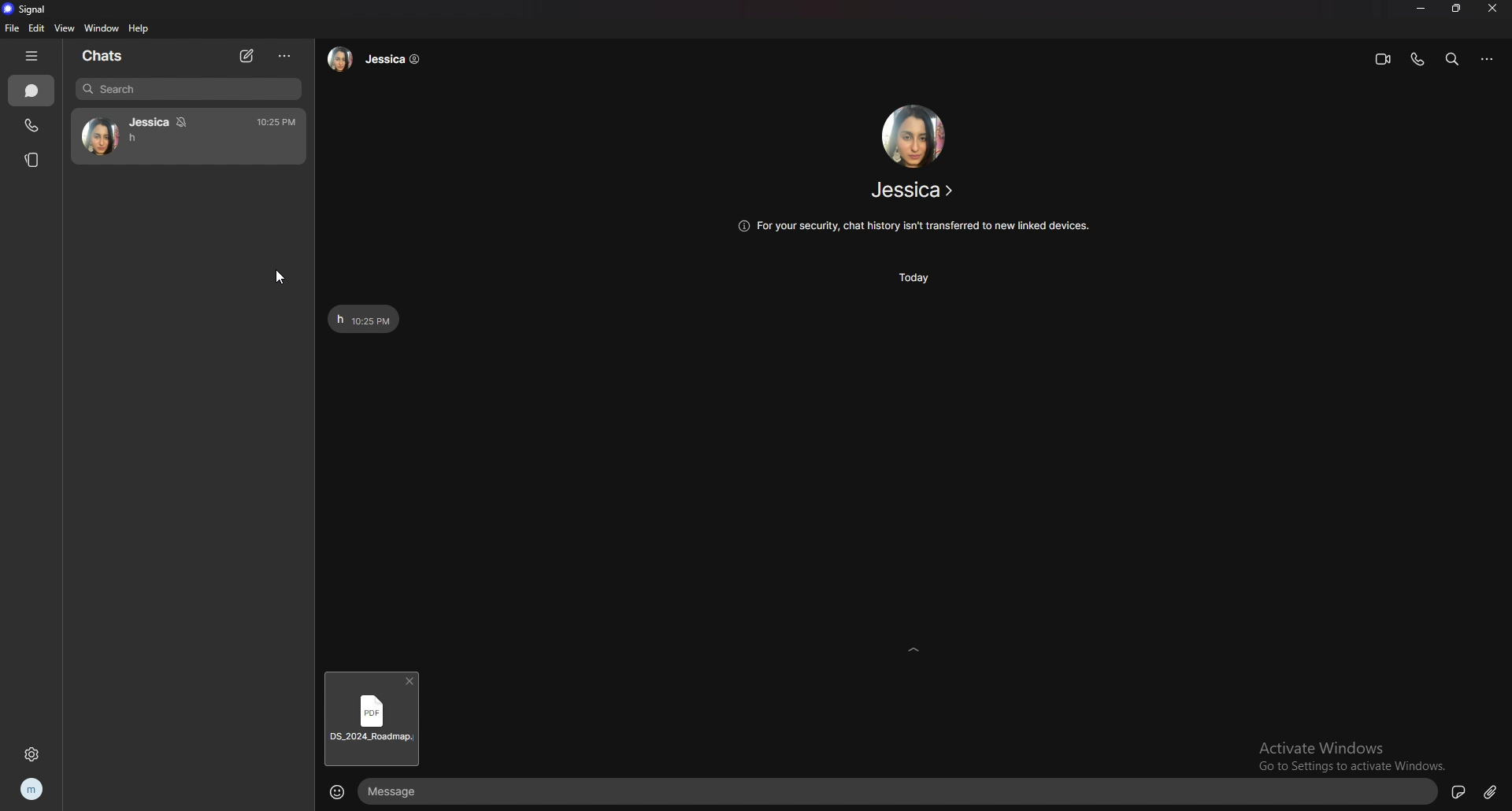 Image resolution: width=1512 pixels, height=811 pixels. Describe the element at coordinates (364, 318) in the screenshot. I see `text` at that location.